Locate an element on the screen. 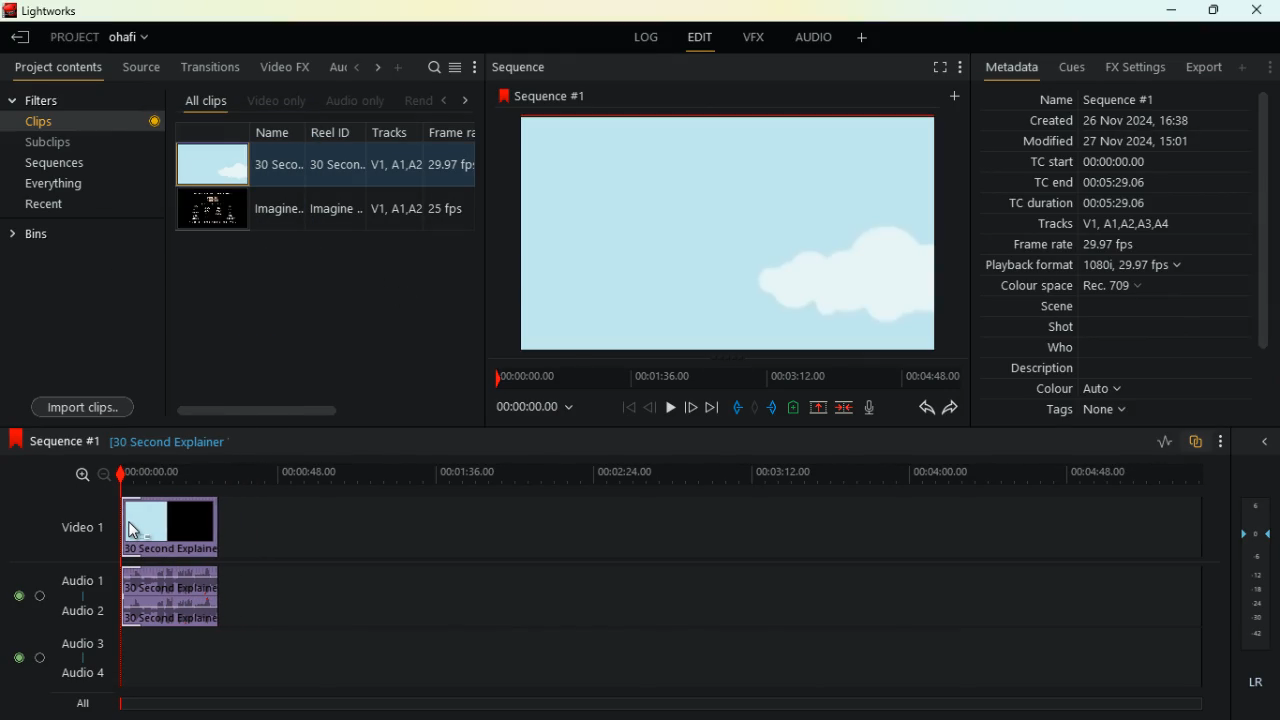 The height and width of the screenshot is (720, 1280). frame rate 29.97 fps is located at coordinates (1103, 246).